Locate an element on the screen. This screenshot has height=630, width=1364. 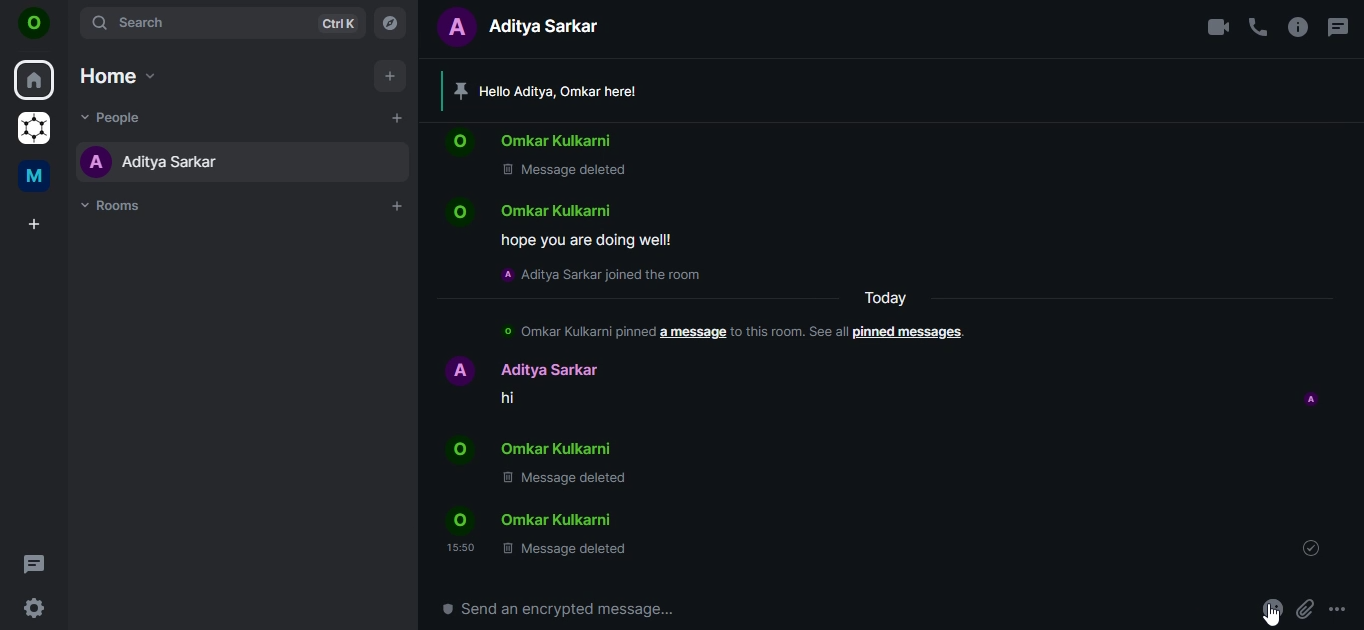
send an encrypted message is located at coordinates (576, 608).